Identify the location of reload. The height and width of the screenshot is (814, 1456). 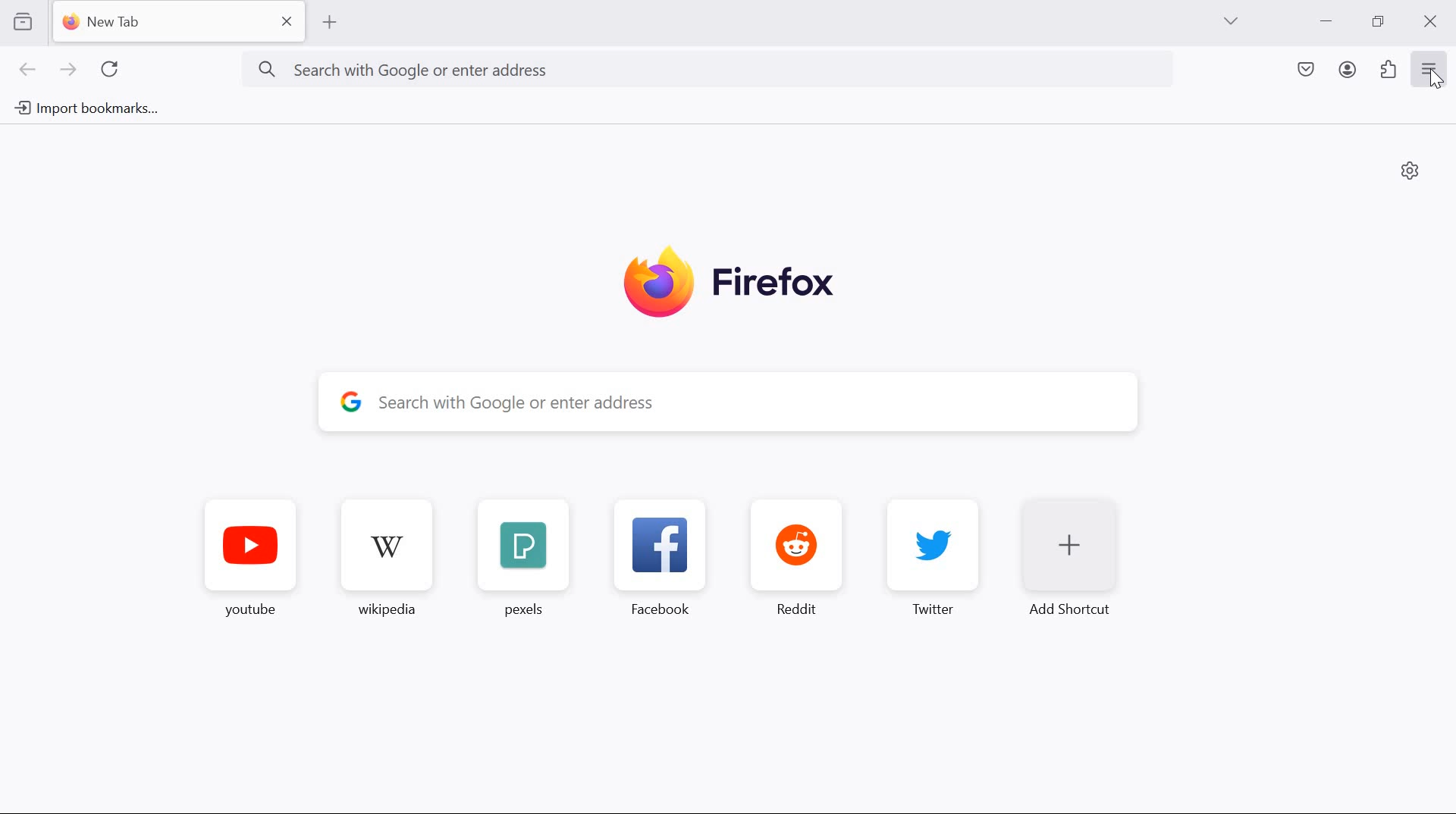
(109, 68).